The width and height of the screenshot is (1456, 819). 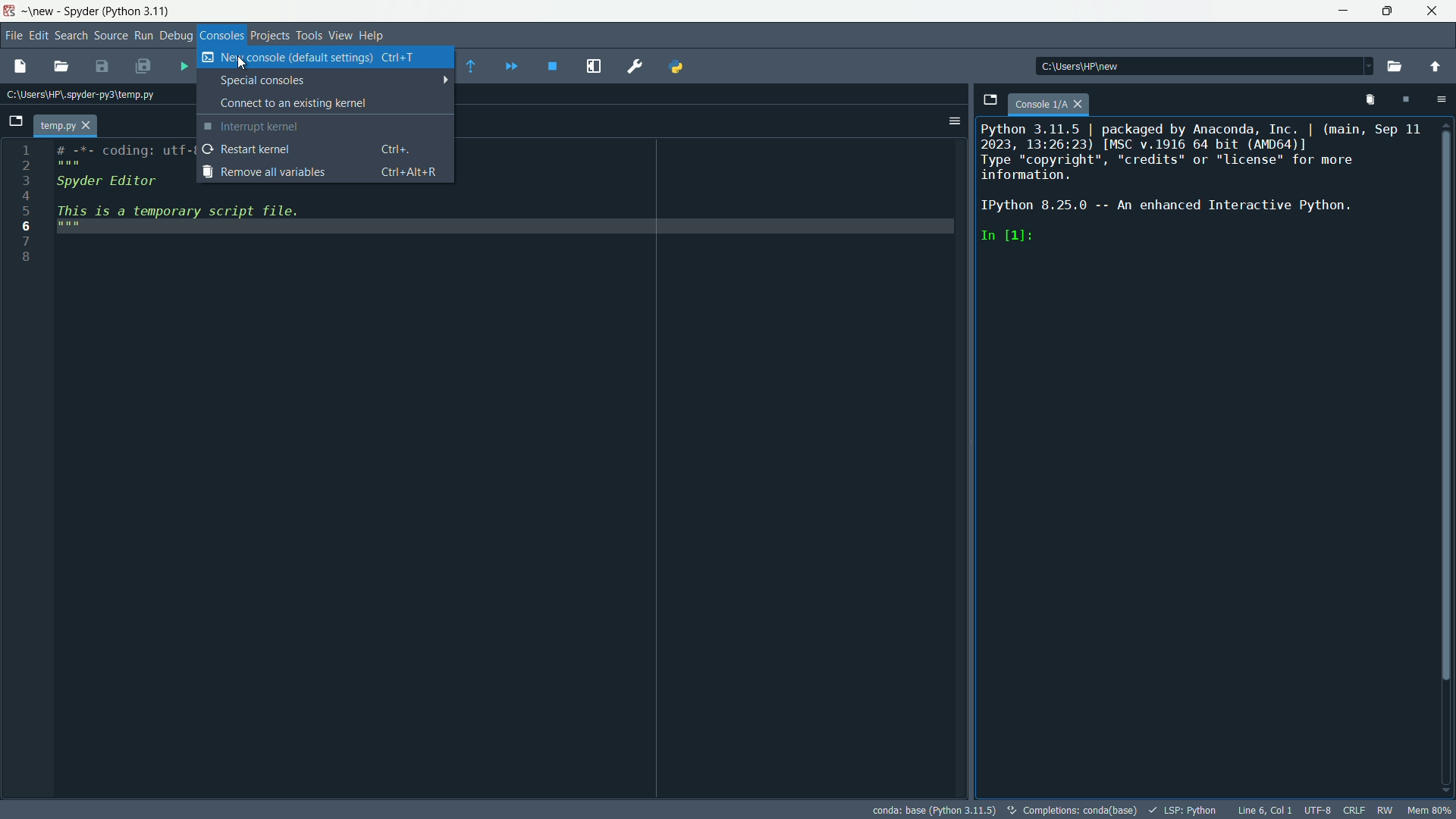 What do you see at coordinates (1430, 809) in the screenshot?
I see `mem 80%` at bounding box center [1430, 809].